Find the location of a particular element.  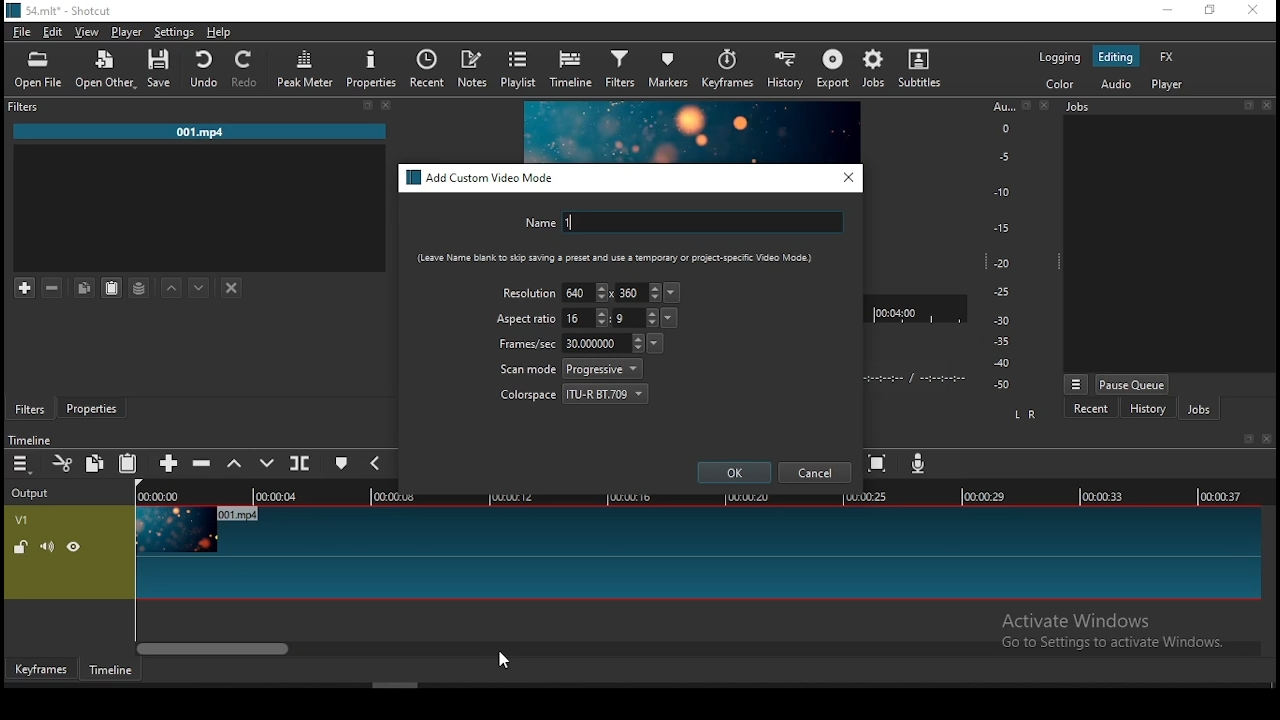

mouse pointer is located at coordinates (500, 660).